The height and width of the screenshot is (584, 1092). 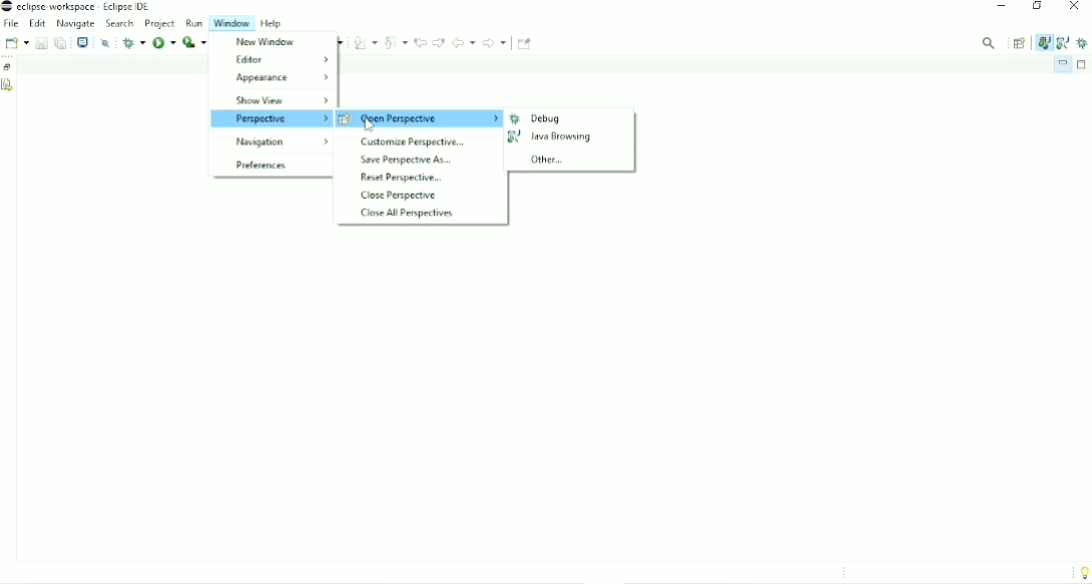 What do you see at coordinates (11, 24) in the screenshot?
I see `File` at bounding box center [11, 24].